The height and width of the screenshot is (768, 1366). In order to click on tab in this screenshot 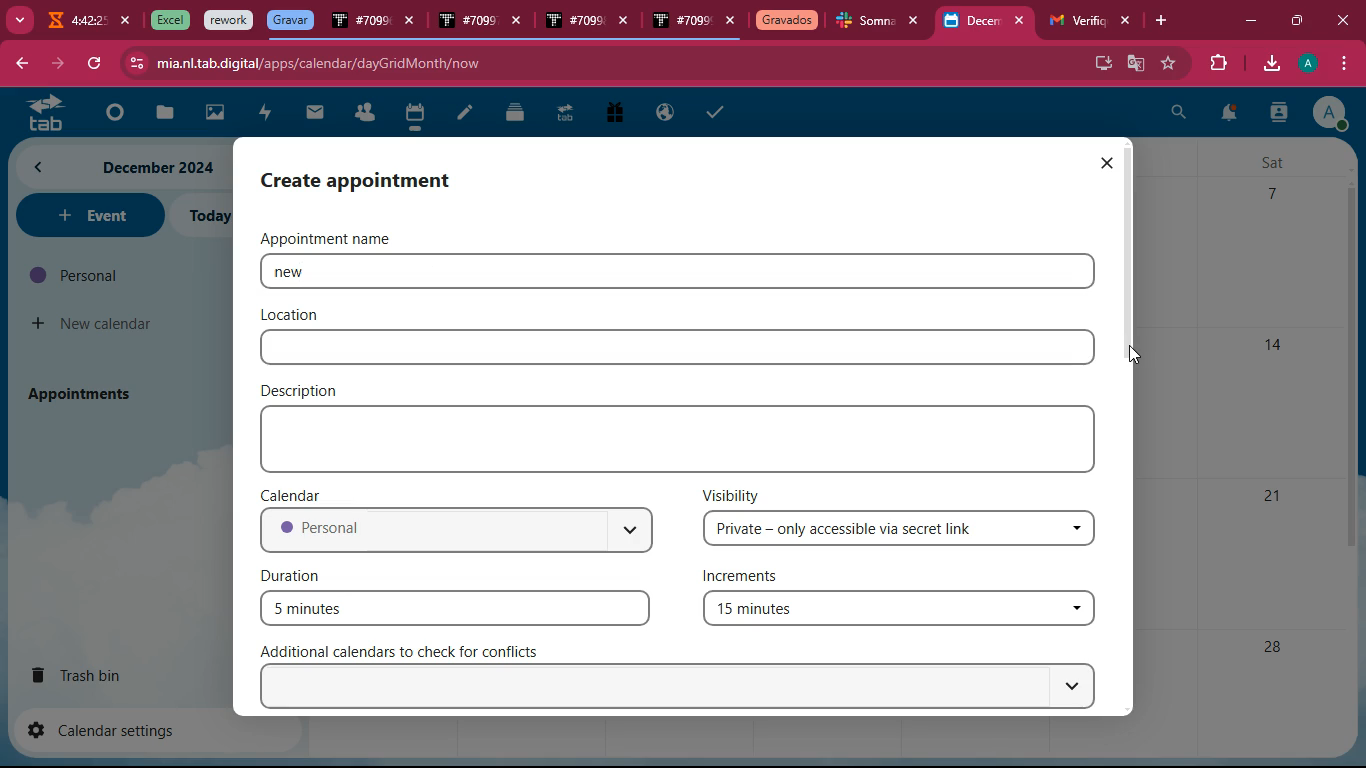, I will do `click(866, 23)`.